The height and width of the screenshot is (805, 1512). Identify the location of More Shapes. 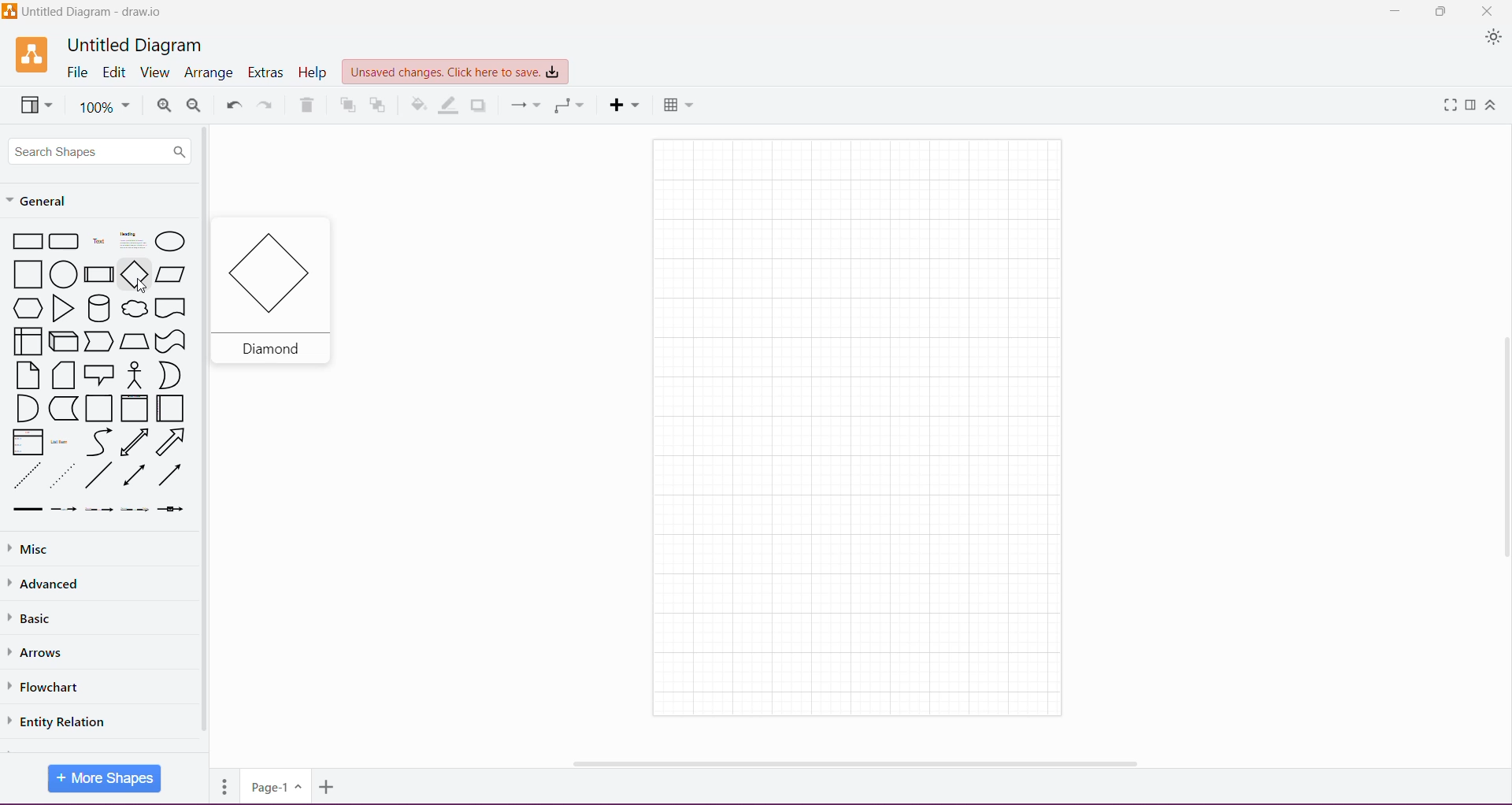
(105, 779).